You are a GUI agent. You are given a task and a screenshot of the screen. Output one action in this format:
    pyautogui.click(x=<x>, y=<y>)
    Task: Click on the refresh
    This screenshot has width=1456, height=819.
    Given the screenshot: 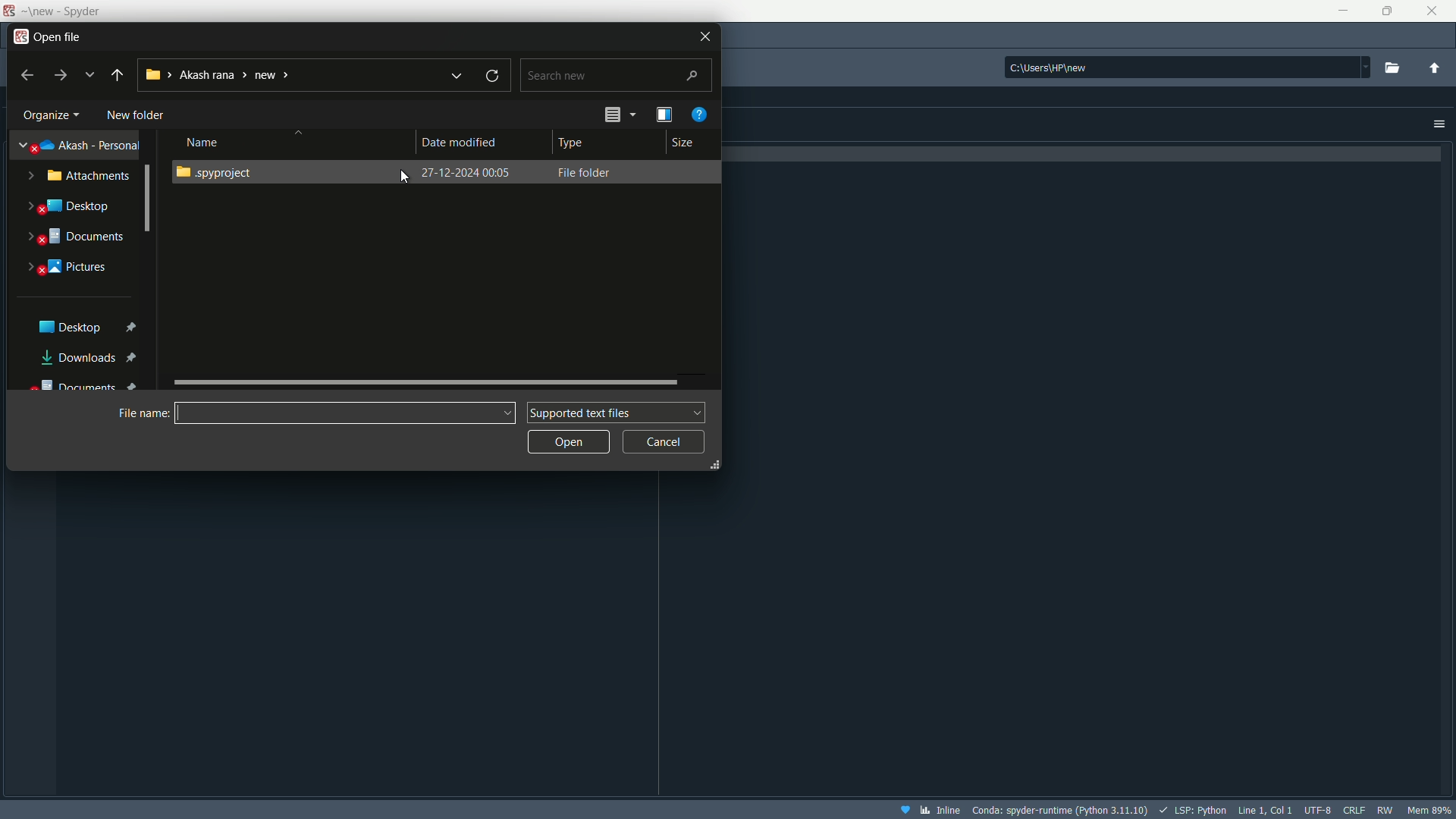 What is the action you would take?
    pyautogui.click(x=497, y=77)
    